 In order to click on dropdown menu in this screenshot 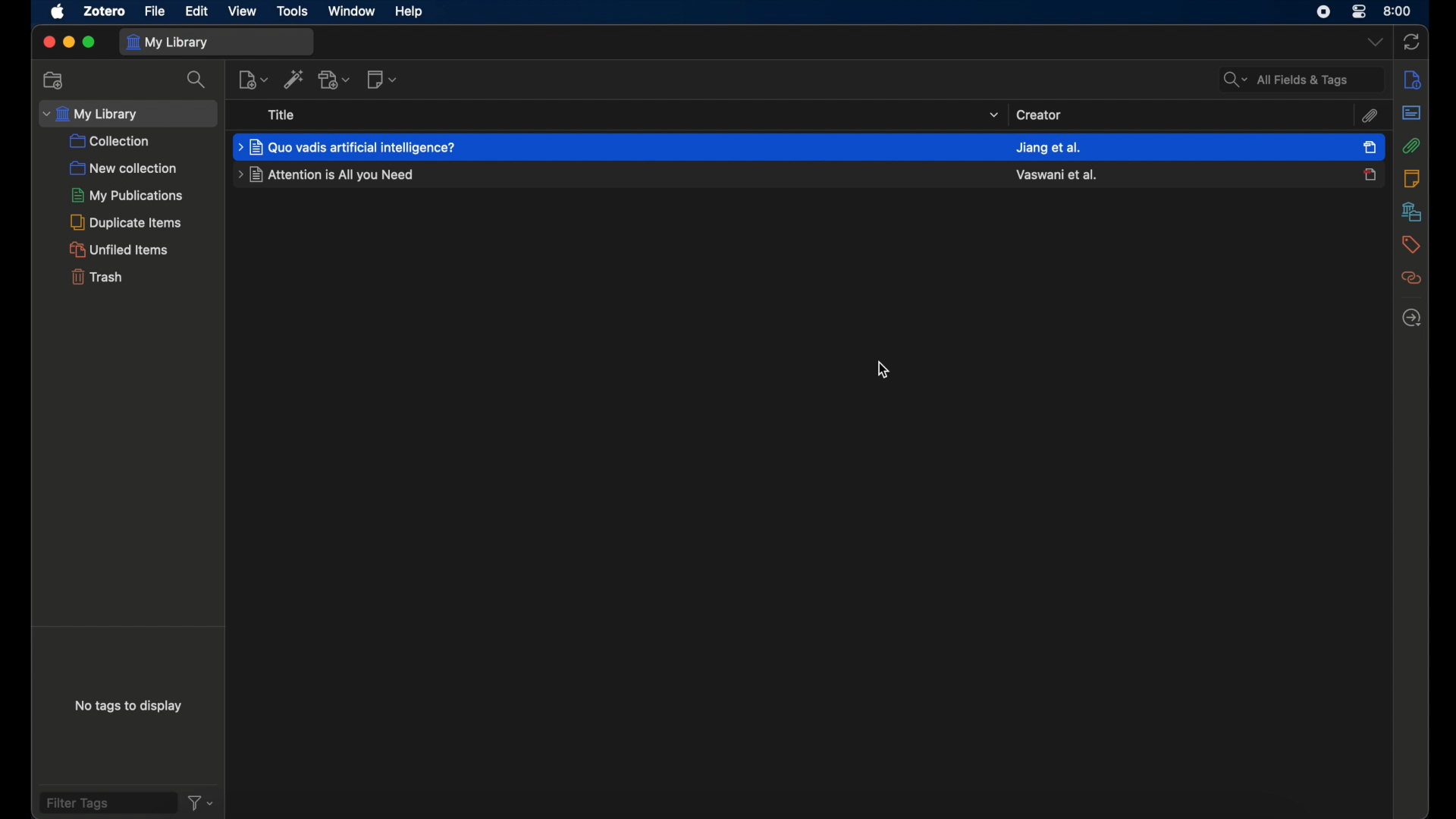, I will do `click(1373, 42)`.